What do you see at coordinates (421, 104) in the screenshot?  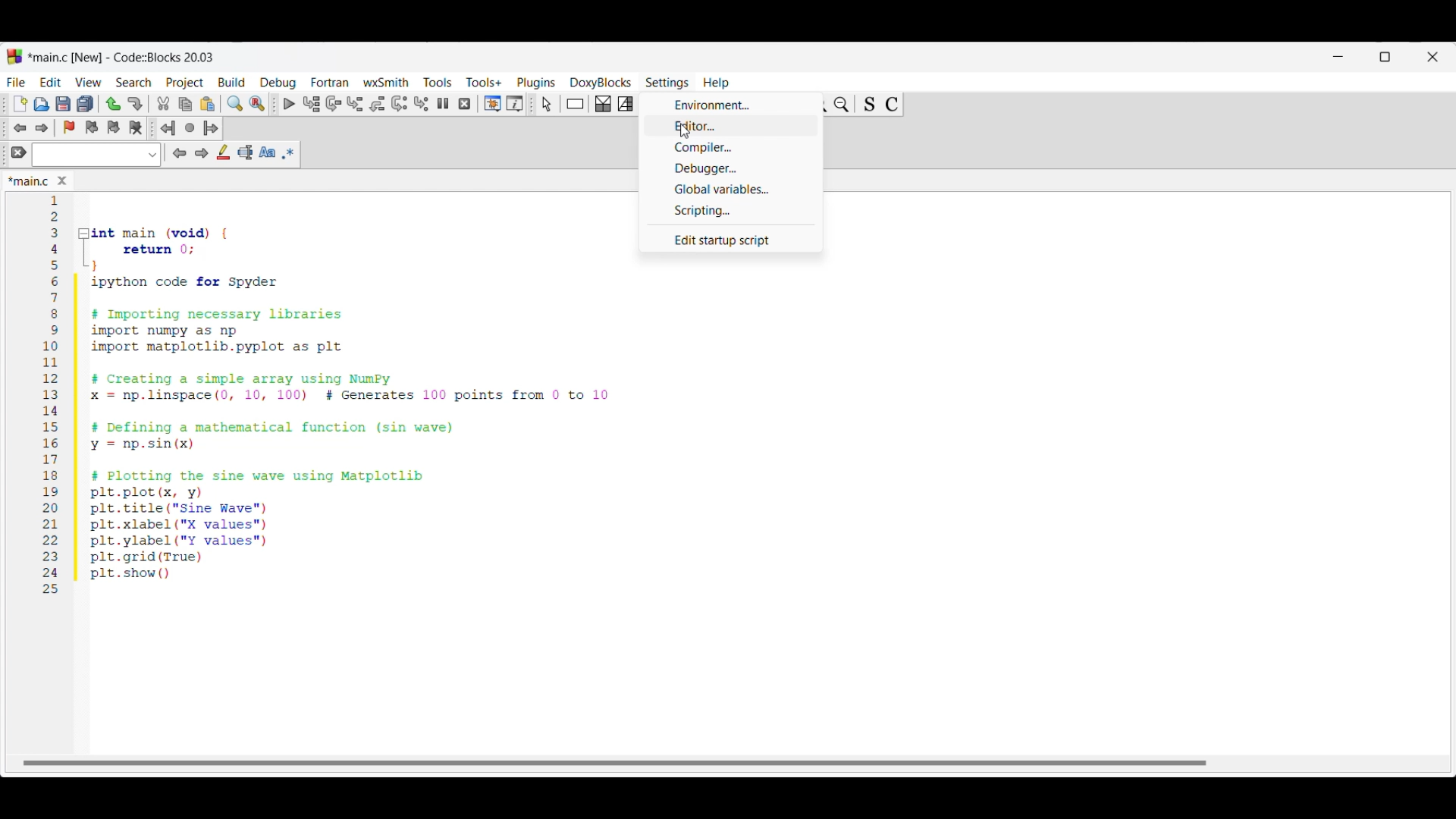 I see `Step into instruction` at bounding box center [421, 104].